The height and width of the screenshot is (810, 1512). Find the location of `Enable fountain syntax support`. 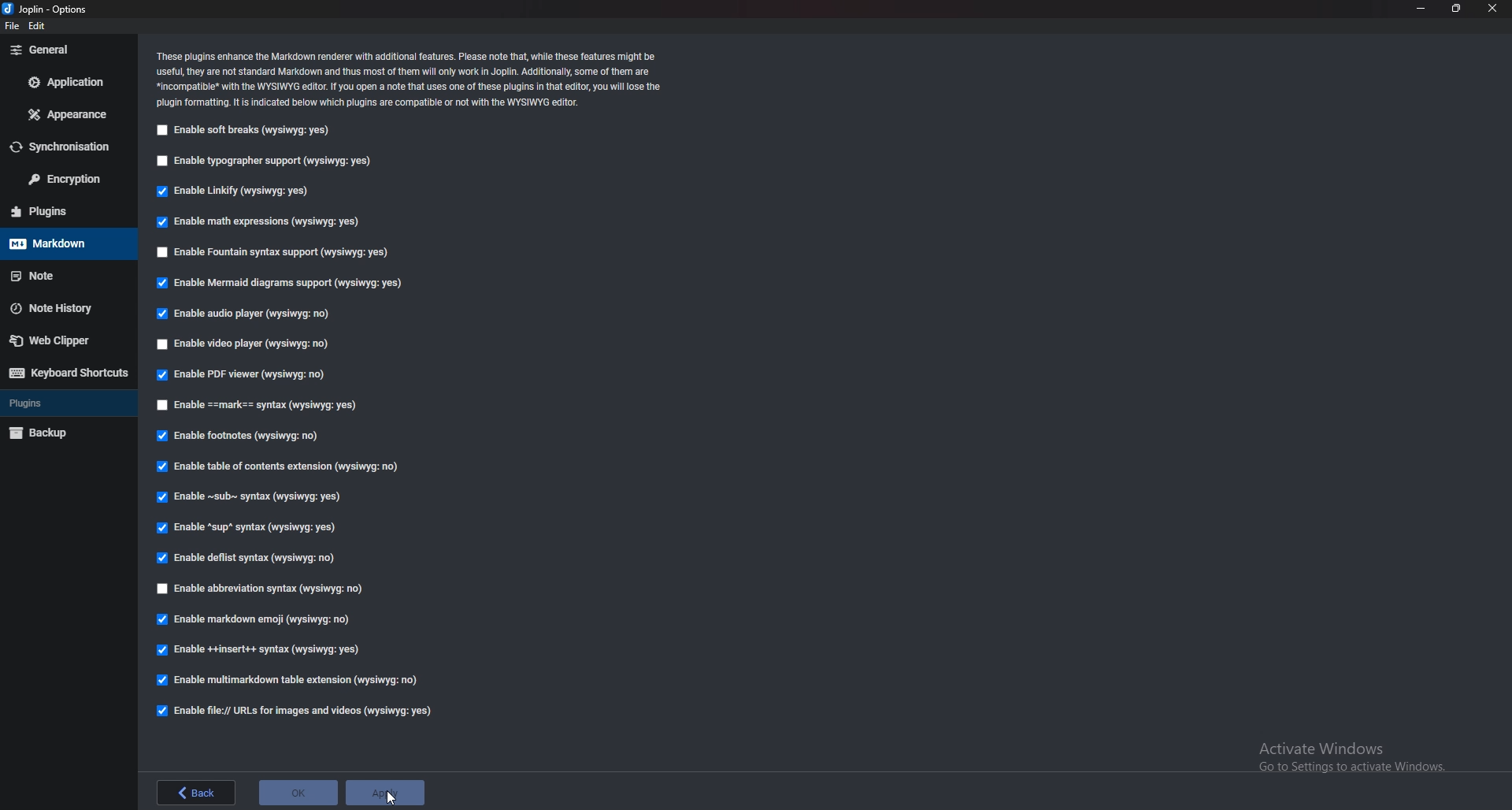

Enable fountain syntax support is located at coordinates (273, 253).